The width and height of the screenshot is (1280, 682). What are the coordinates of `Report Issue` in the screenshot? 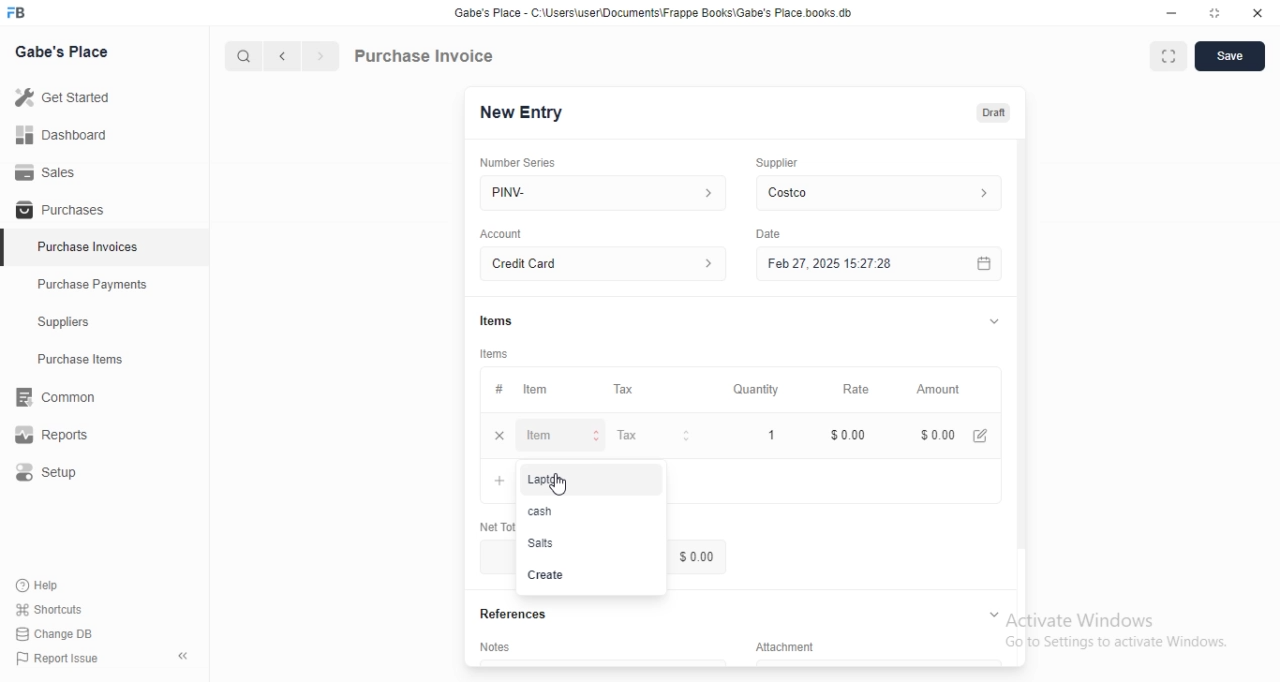 It's located at (58, 658).